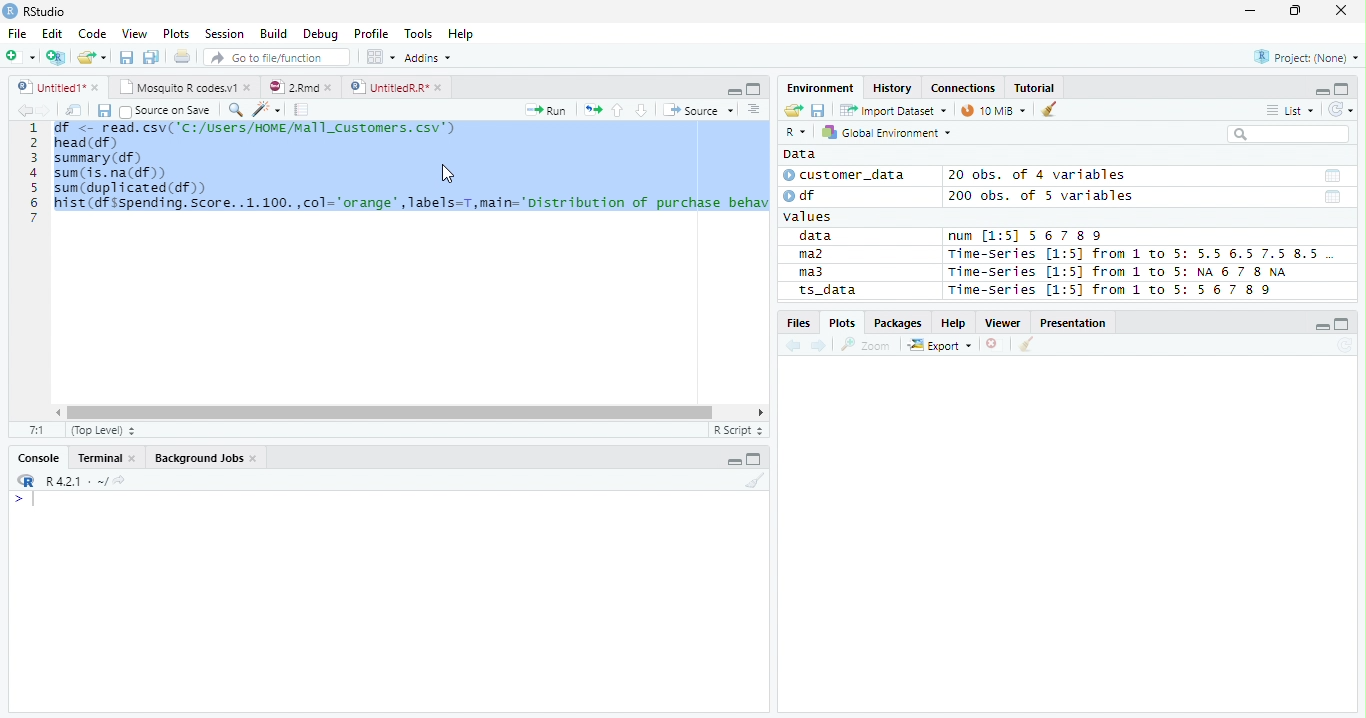  I want to click on Time-series [1:5] from 1 to 5: NA 6 7 8 NA, so click(1126, 273).